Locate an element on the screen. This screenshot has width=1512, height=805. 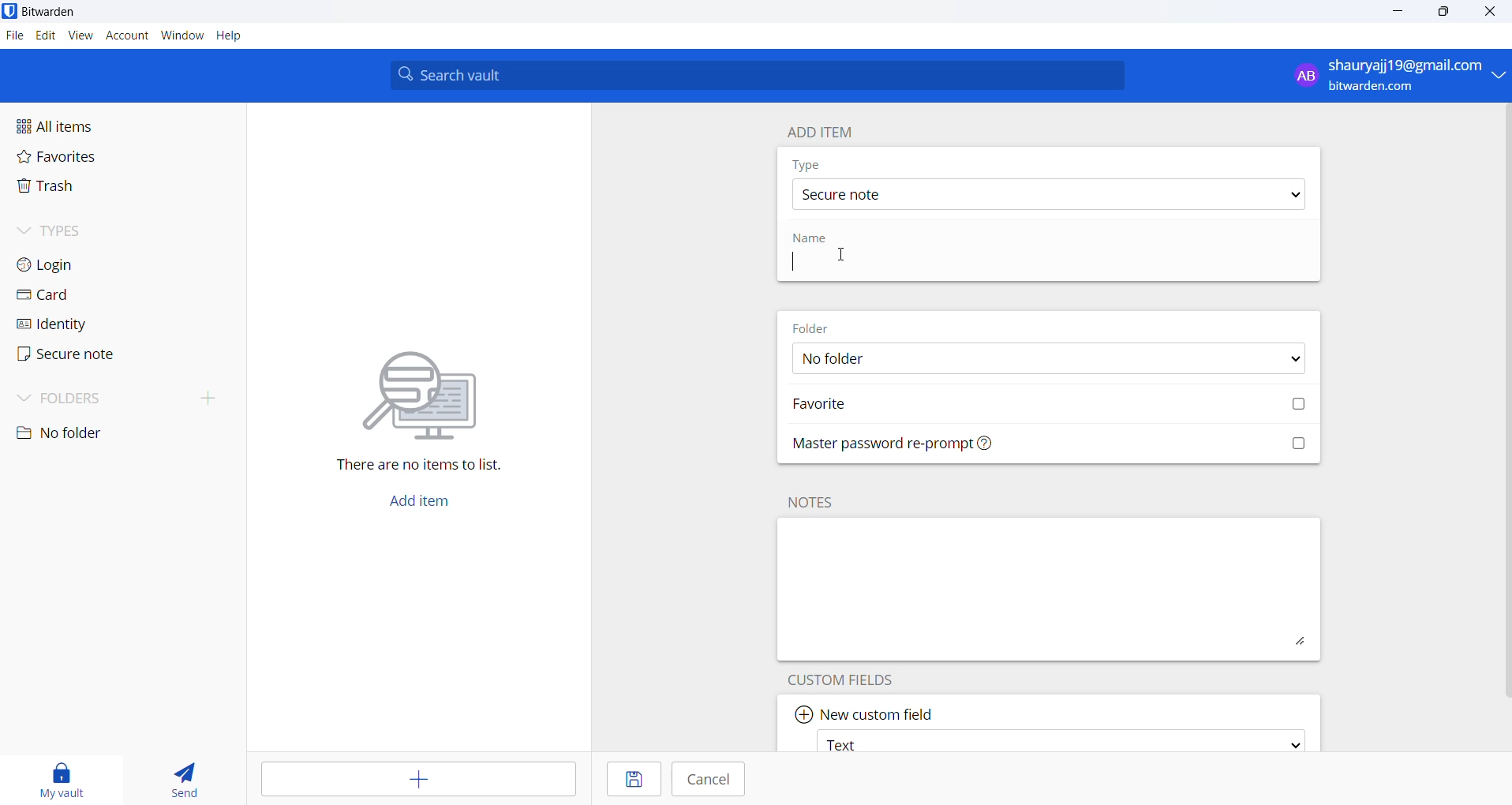
secure note is located at coordinates (85, 358).